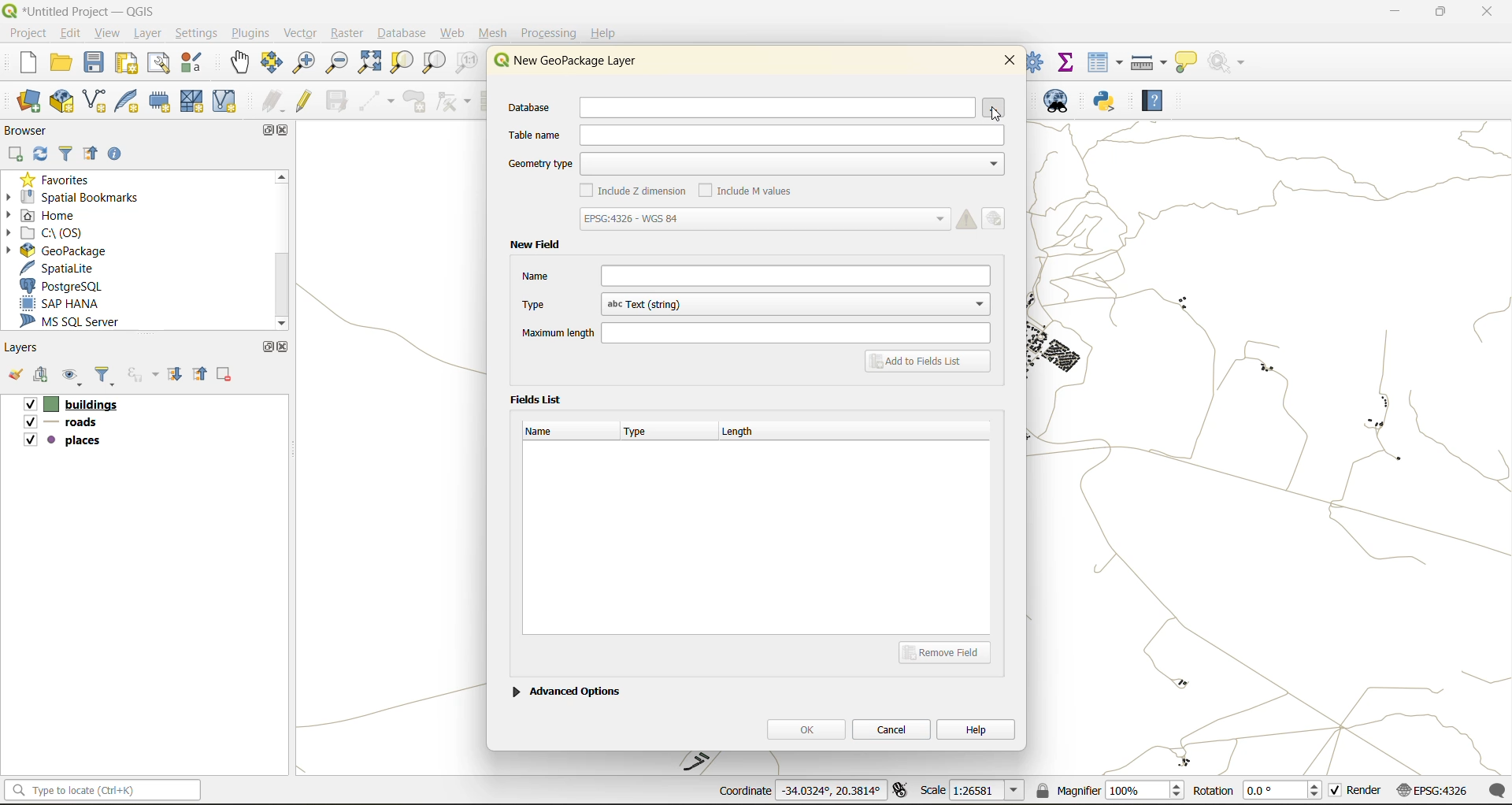 The width and height of the screenshot is (1512, 805). I want to click on spatial bookmarks, so click(83, 197).